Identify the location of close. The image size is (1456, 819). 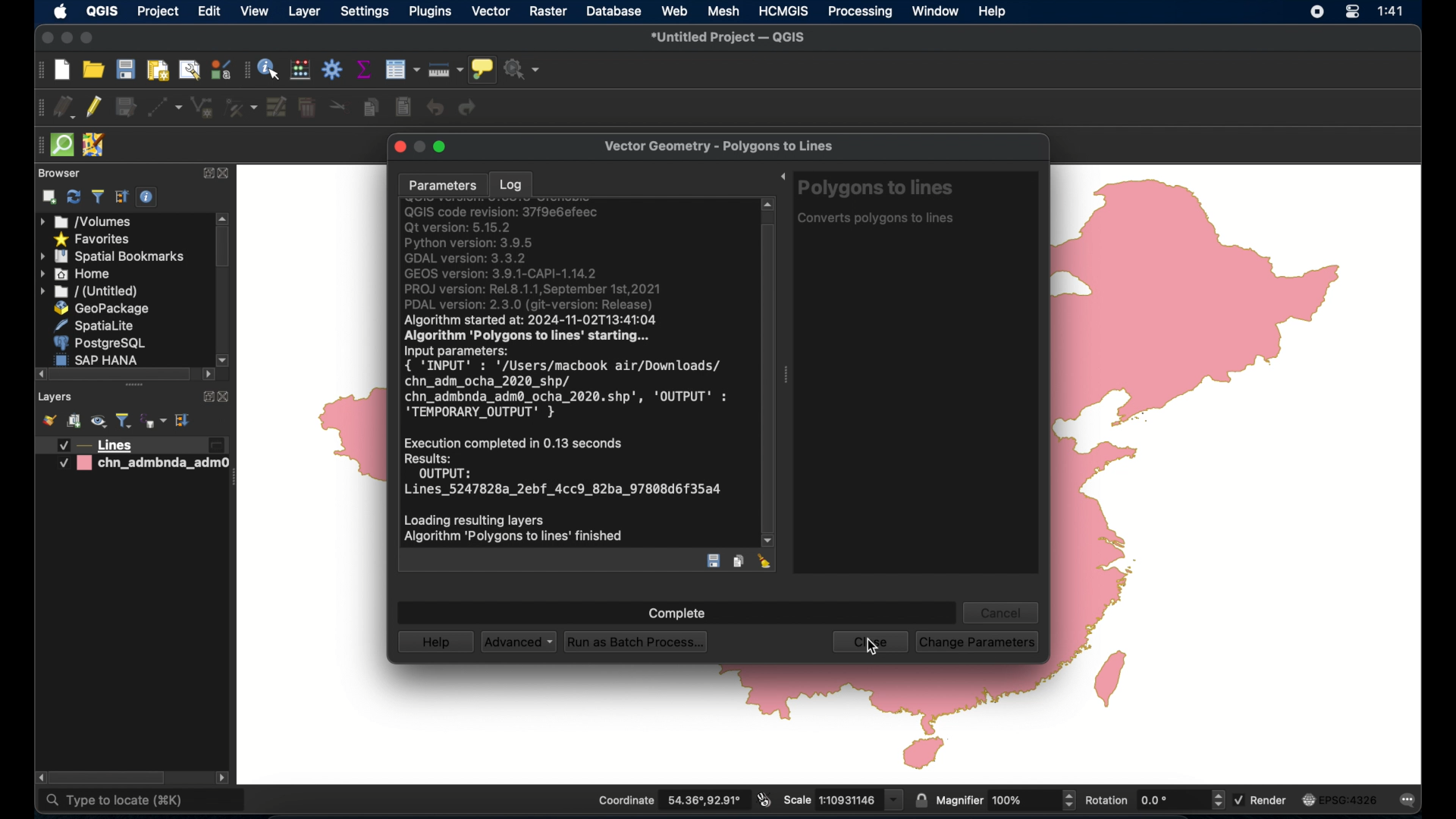
(225, 397).